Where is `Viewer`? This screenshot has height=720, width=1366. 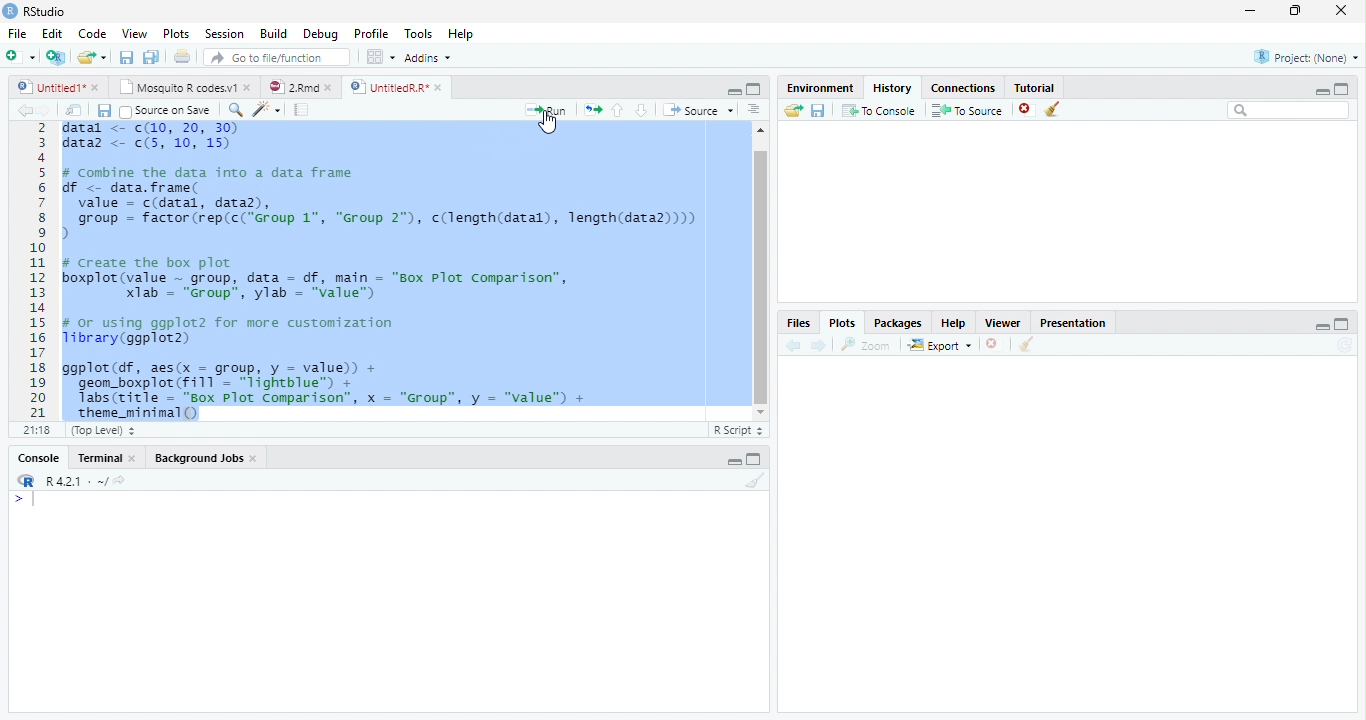 Viewer is located at coordinates (1004, 322).